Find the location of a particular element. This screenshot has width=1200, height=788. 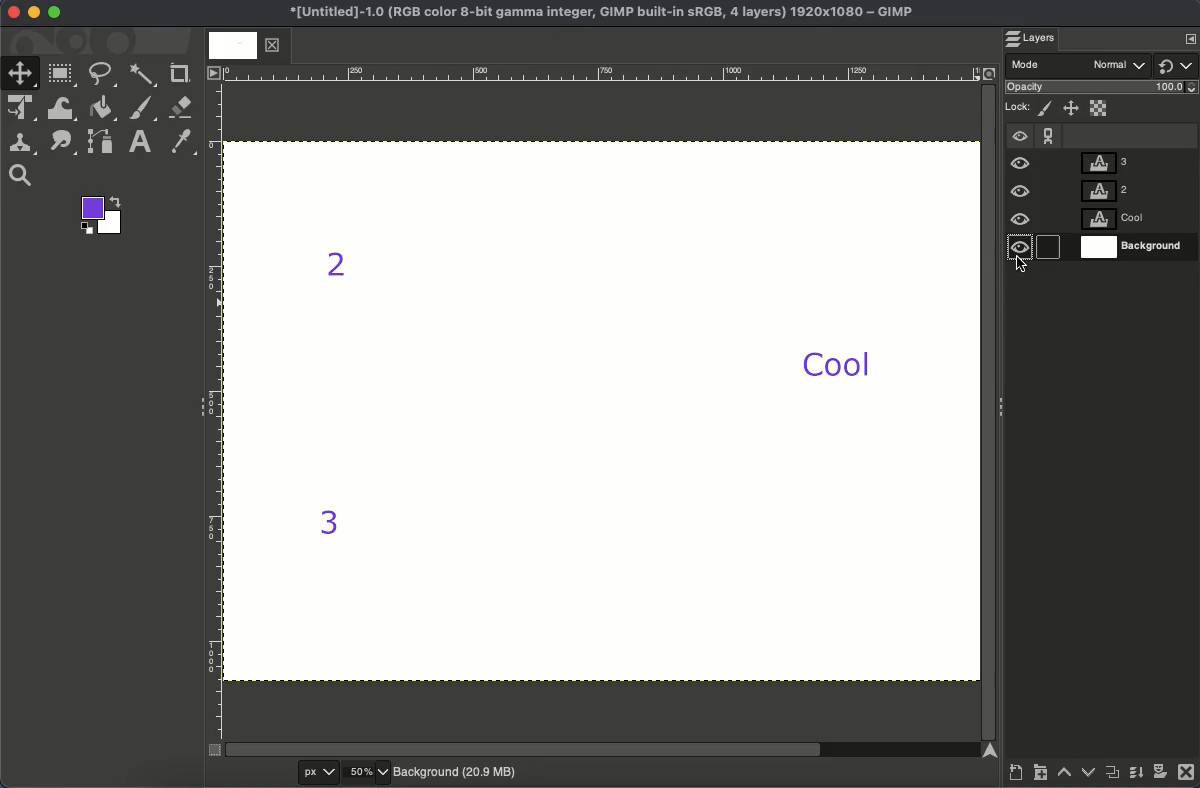

Opacity is located at coordinates (1104, 89).